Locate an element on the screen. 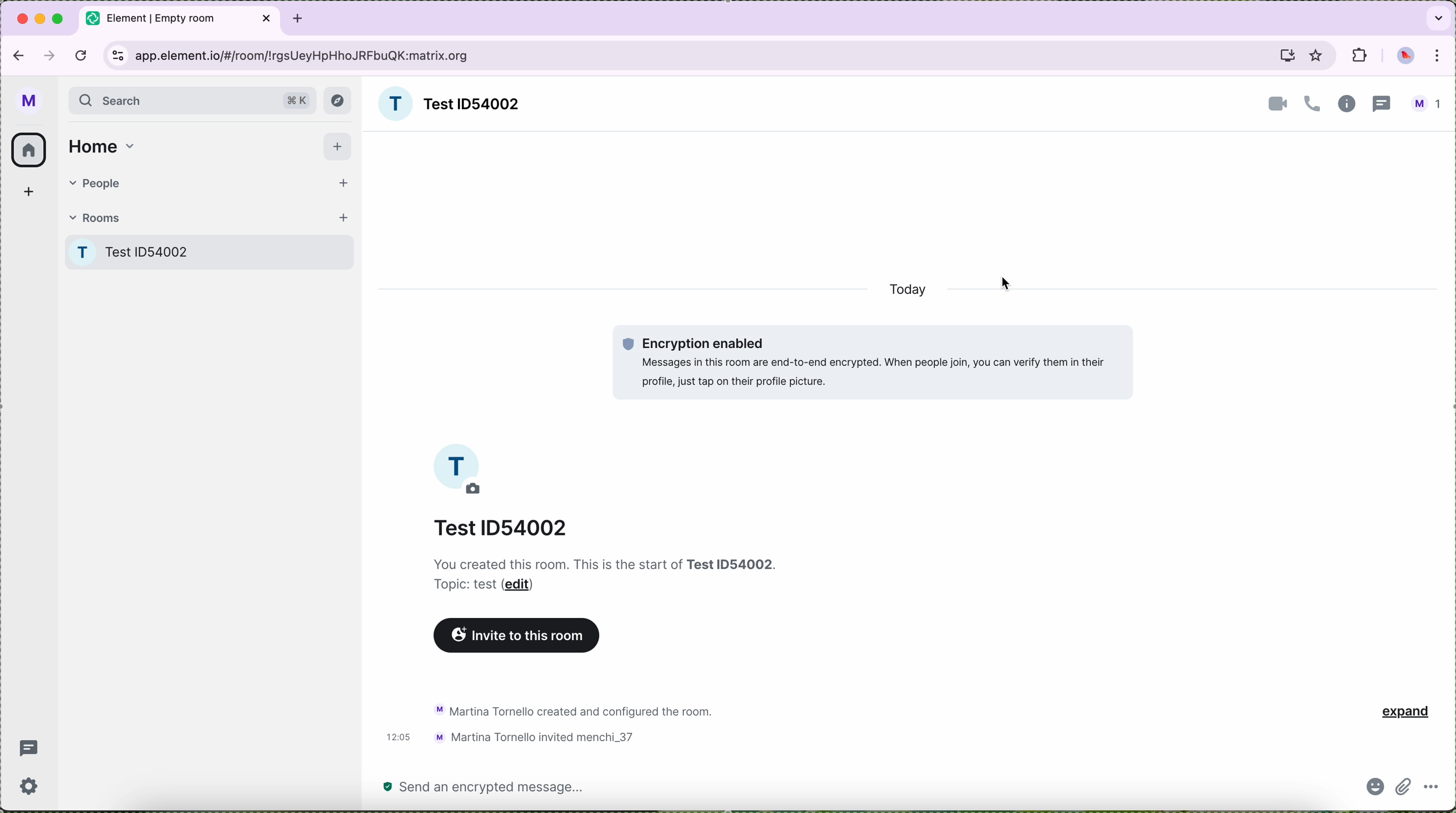 Image resolution: width=1456 pixels, height=813 pixels. profile image is located at coordinates (460, 472).